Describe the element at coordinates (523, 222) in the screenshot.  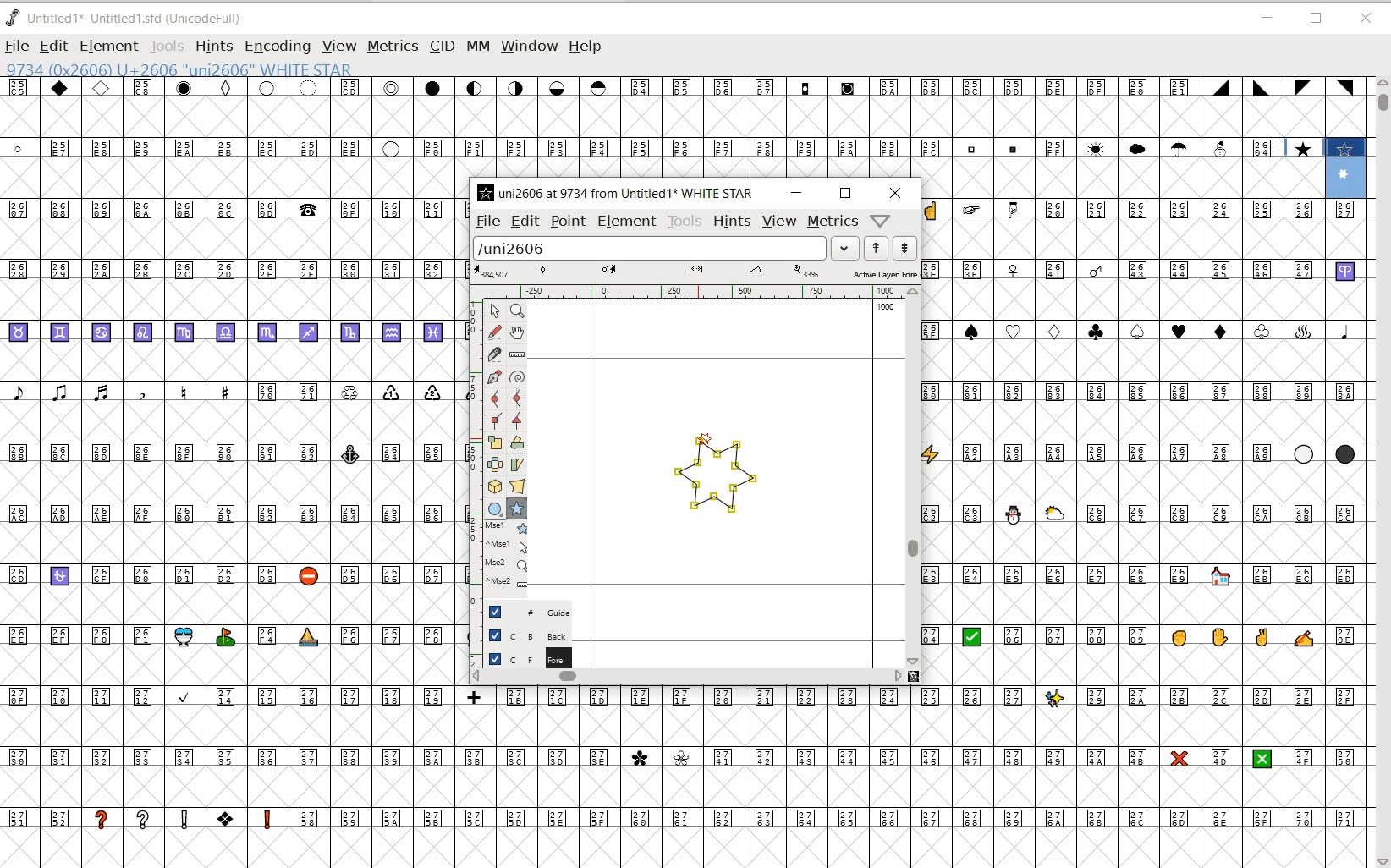
I see `EDIT` at that location.